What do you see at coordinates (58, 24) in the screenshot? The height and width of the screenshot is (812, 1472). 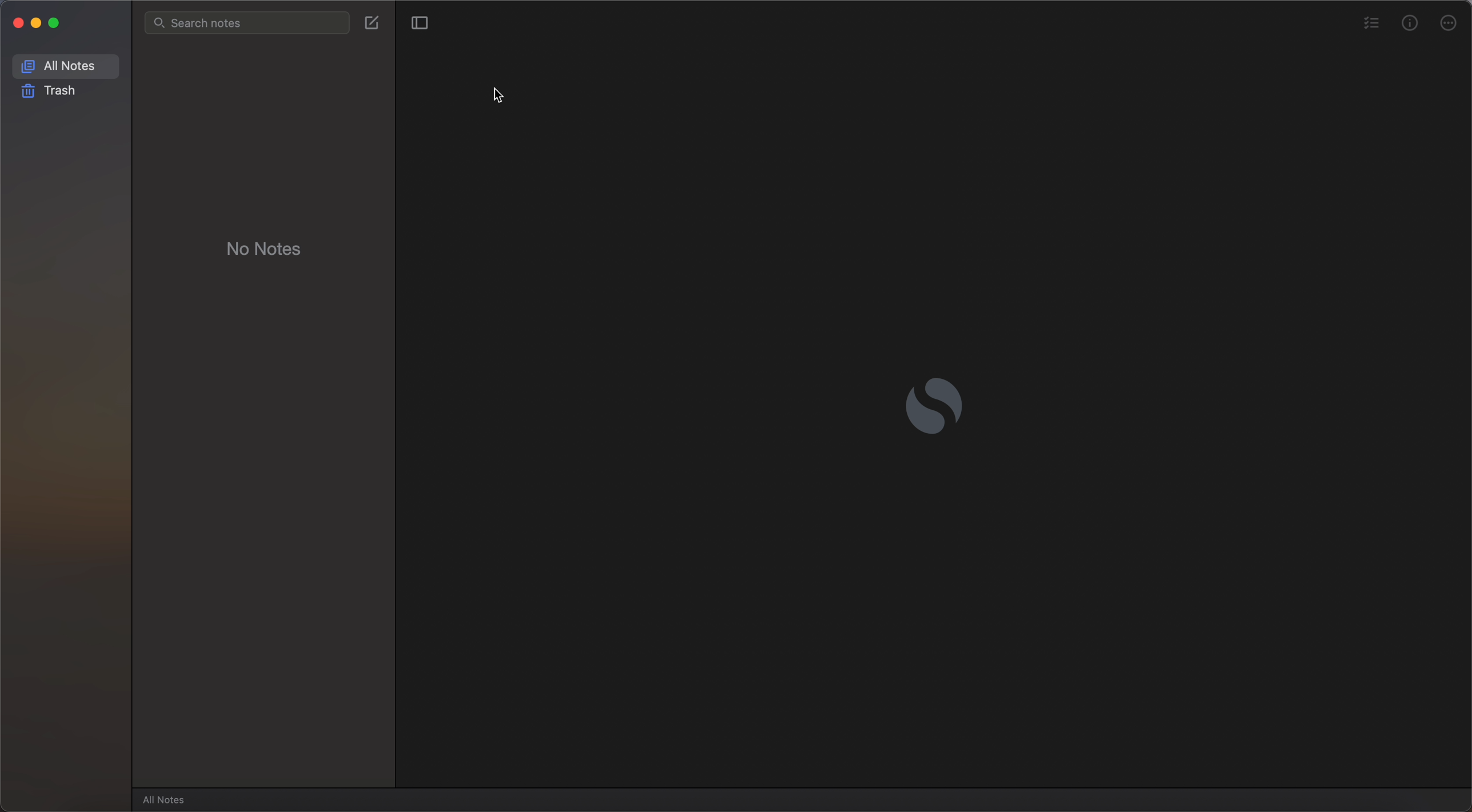 I see `maximize` at bounding box center [58, 24].